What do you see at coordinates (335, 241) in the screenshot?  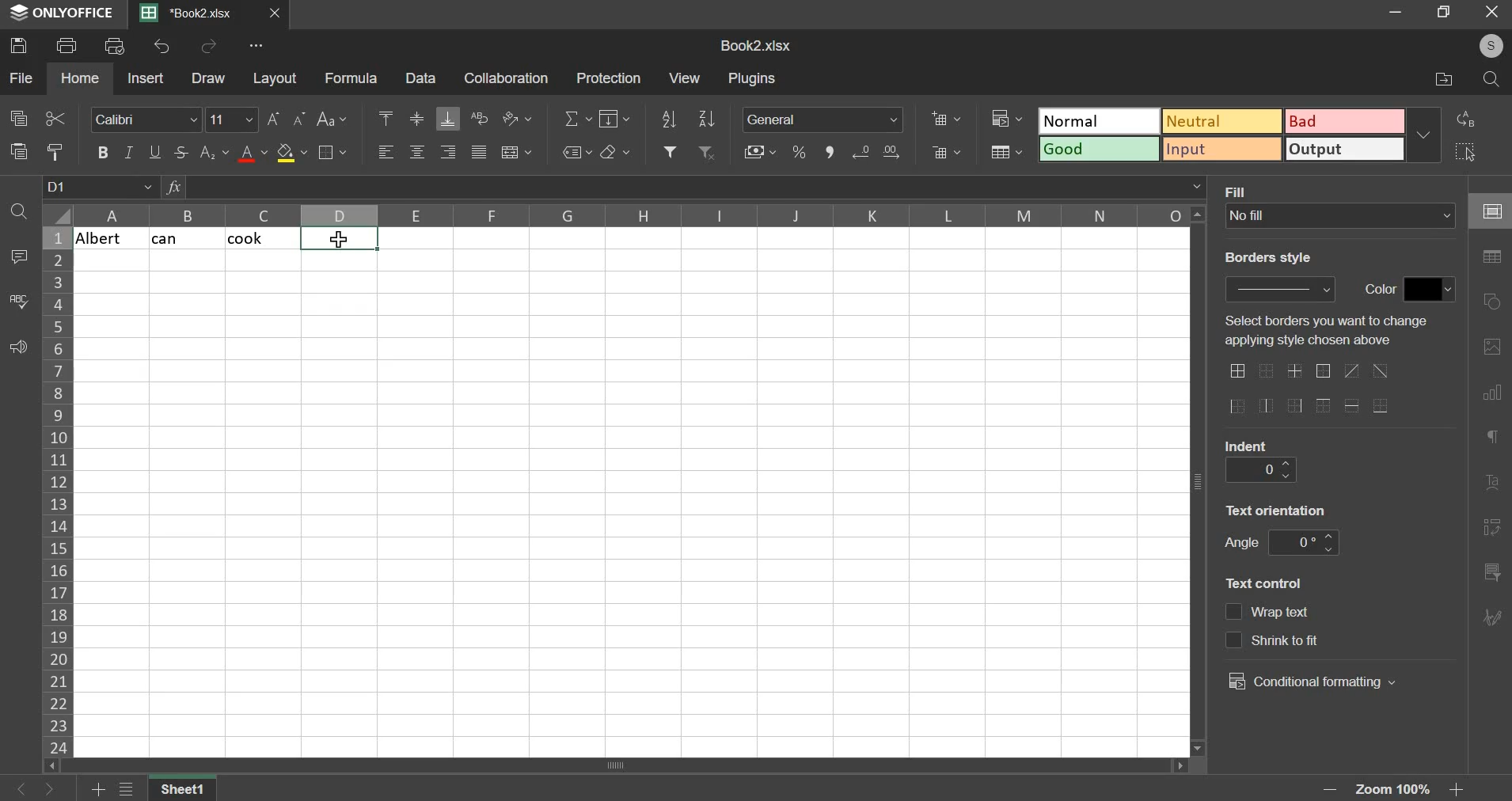 I see `cursor` at bounding box center [335, 241].